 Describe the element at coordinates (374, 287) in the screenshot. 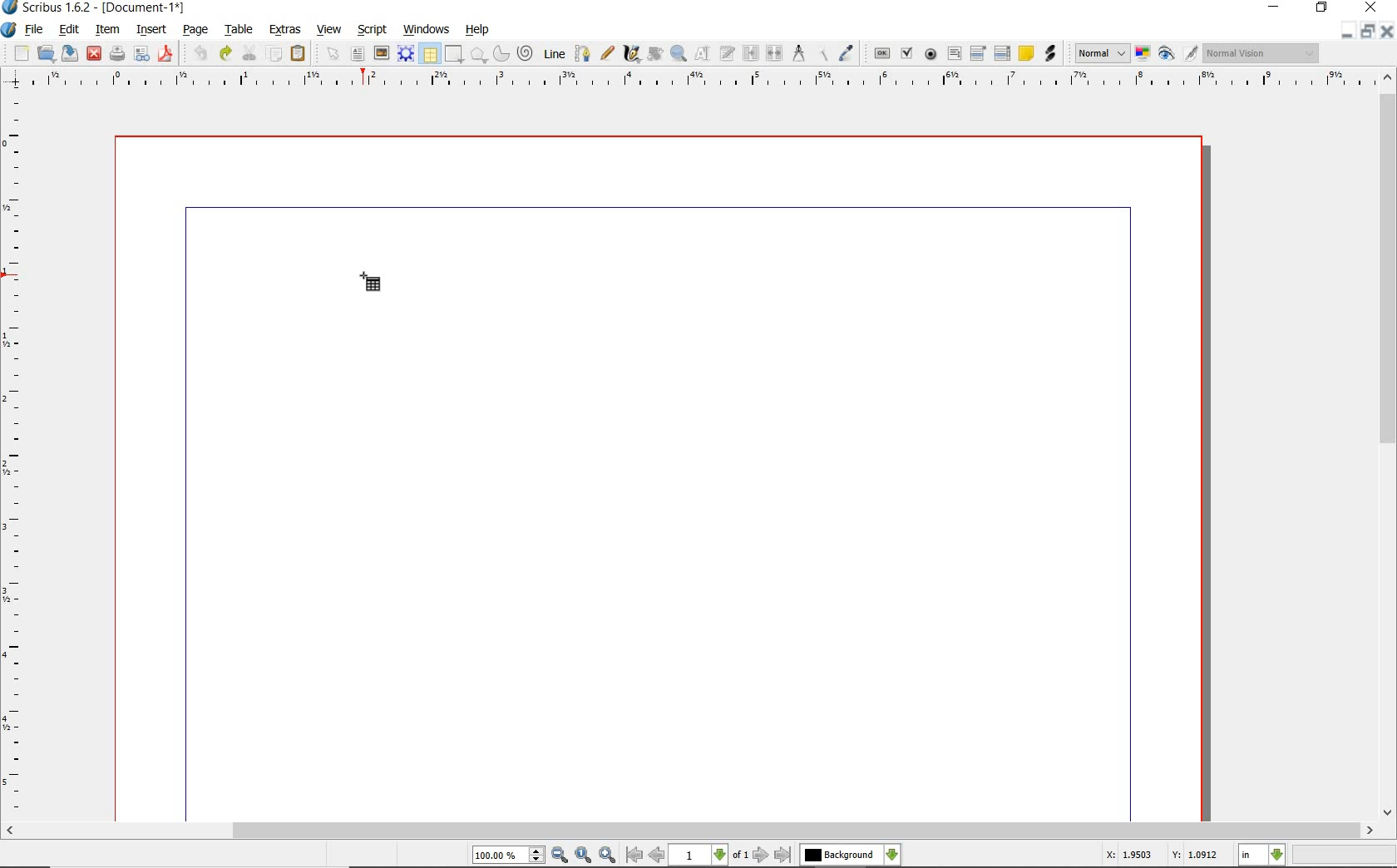

I see `table frame` at that location.